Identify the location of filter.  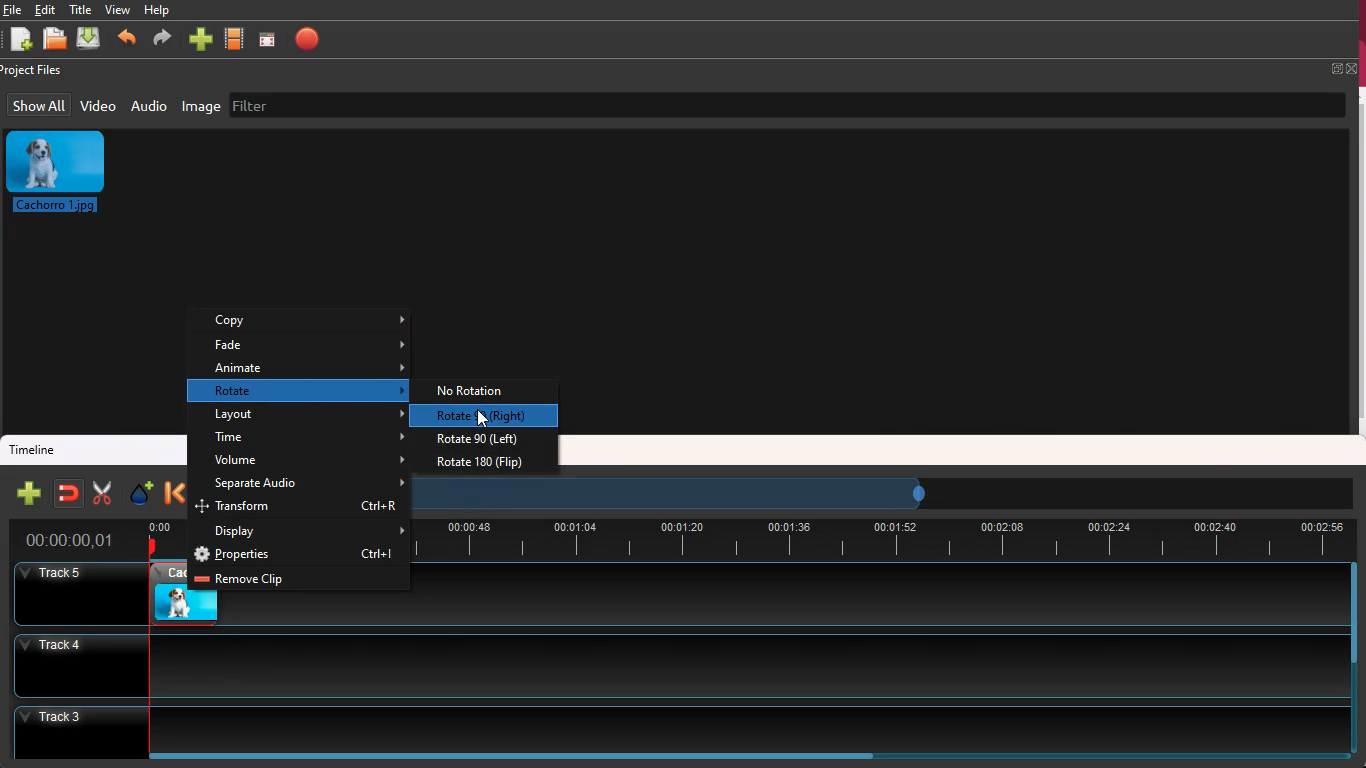
(274, 108).